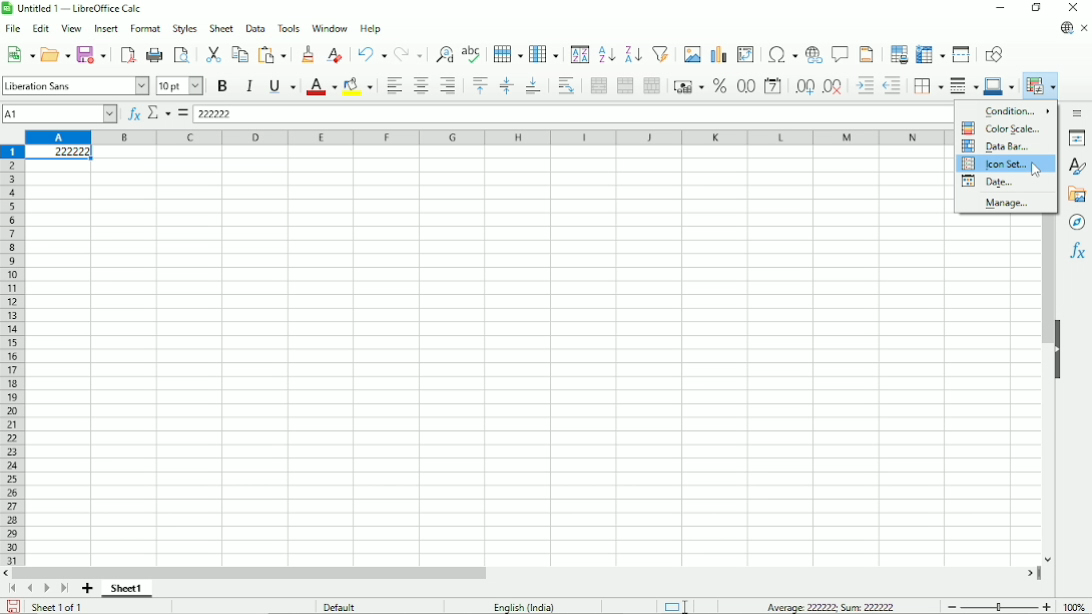 The height and width of the screenshot is (614, 1092). Describe the element at coordinates (56, 54) in the screenshot. I see `Open` at that location.